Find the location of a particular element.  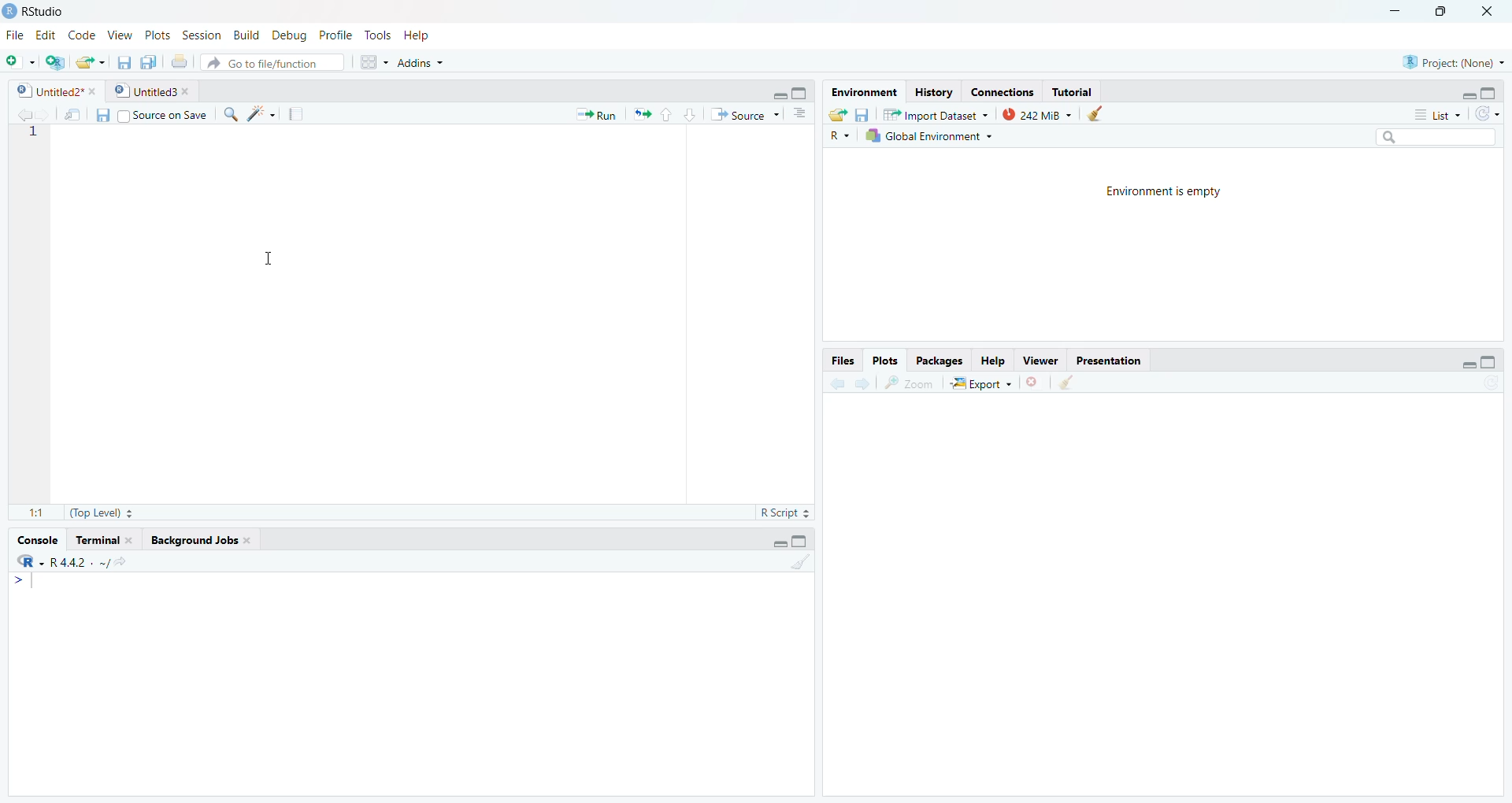

Help is located at coordinates (992, 359).